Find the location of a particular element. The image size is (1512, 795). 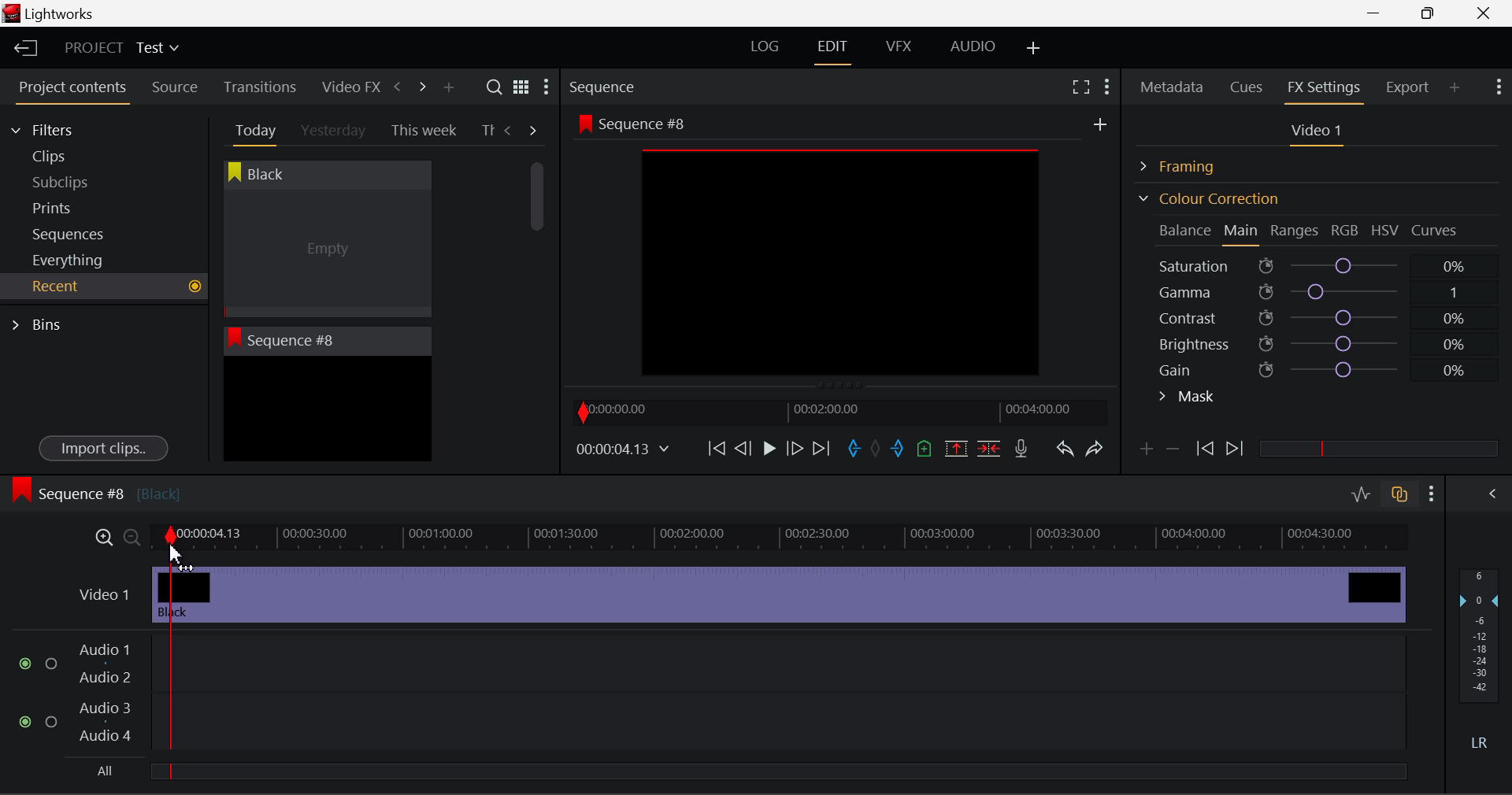

Go Back is located at coordinates (745, 447).